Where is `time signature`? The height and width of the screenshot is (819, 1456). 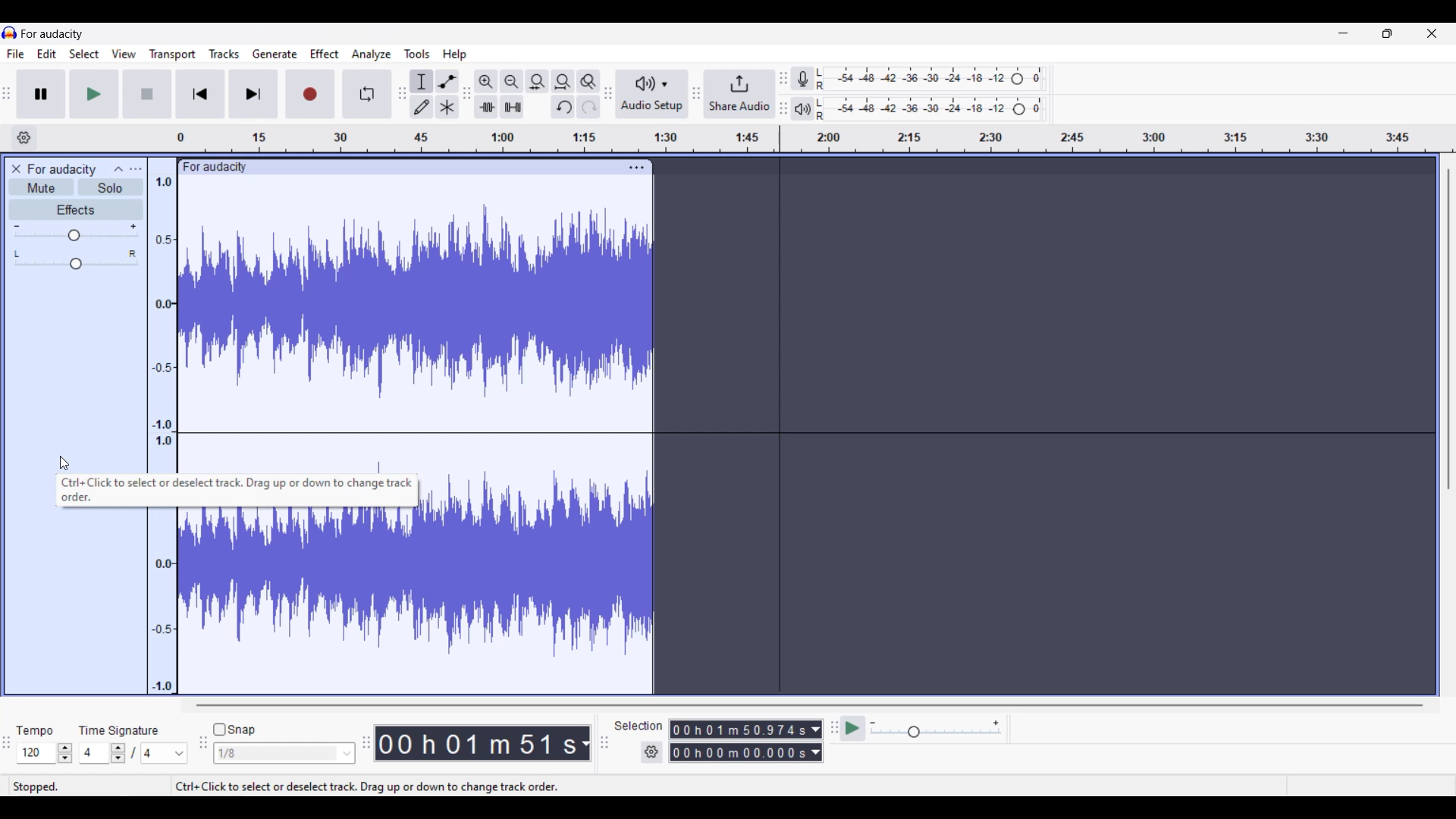 time signature is located at coordinates (118, 730).